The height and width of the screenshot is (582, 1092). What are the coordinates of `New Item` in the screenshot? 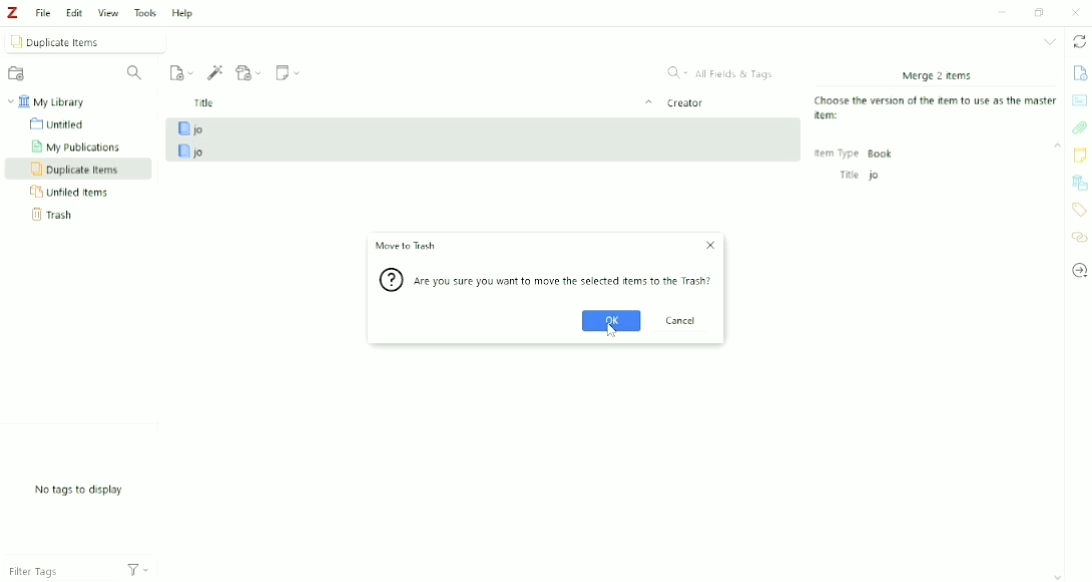 It's located at (181, 73).